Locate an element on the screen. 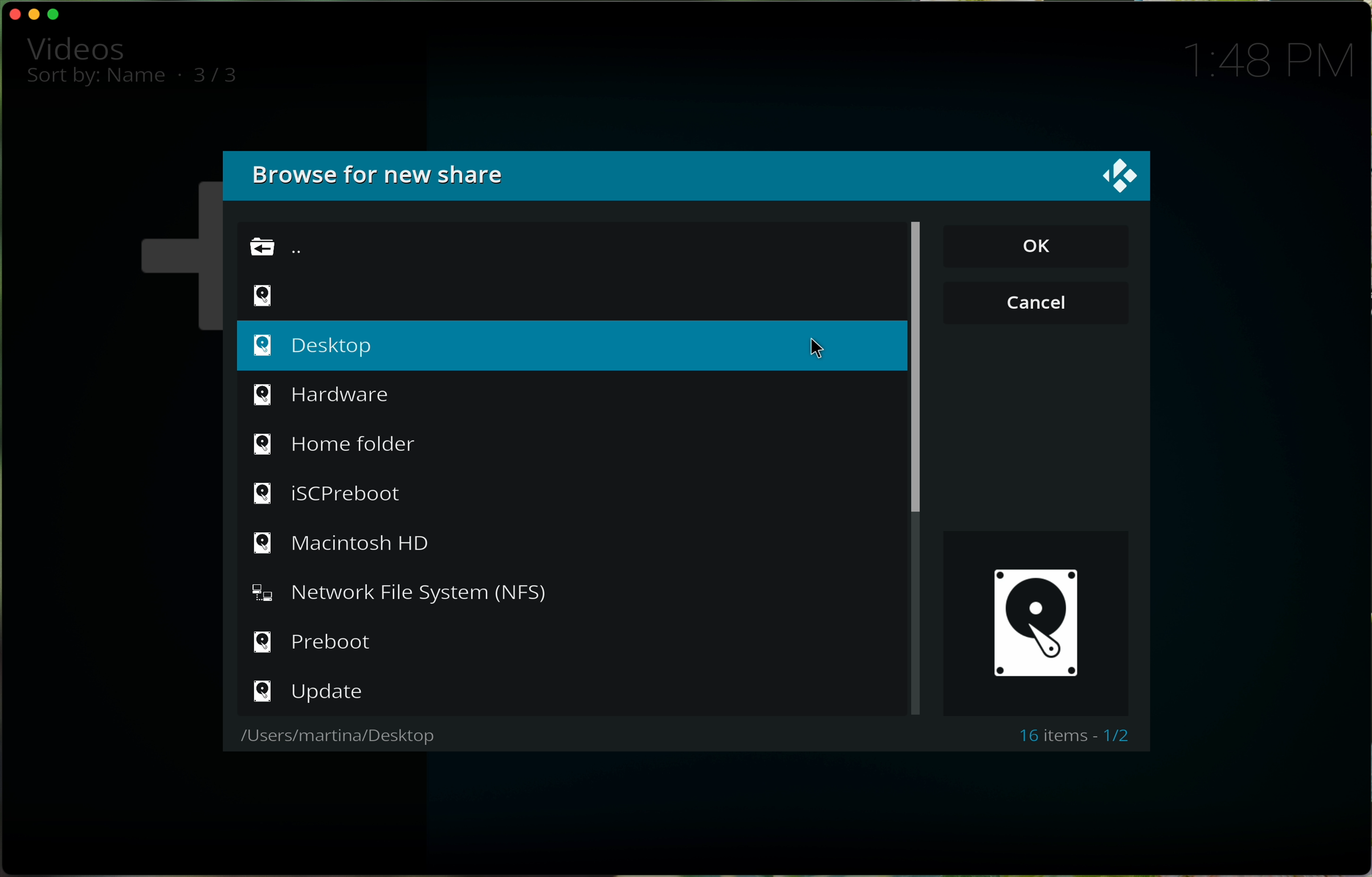  symbol is located at coordinates (262, 294).